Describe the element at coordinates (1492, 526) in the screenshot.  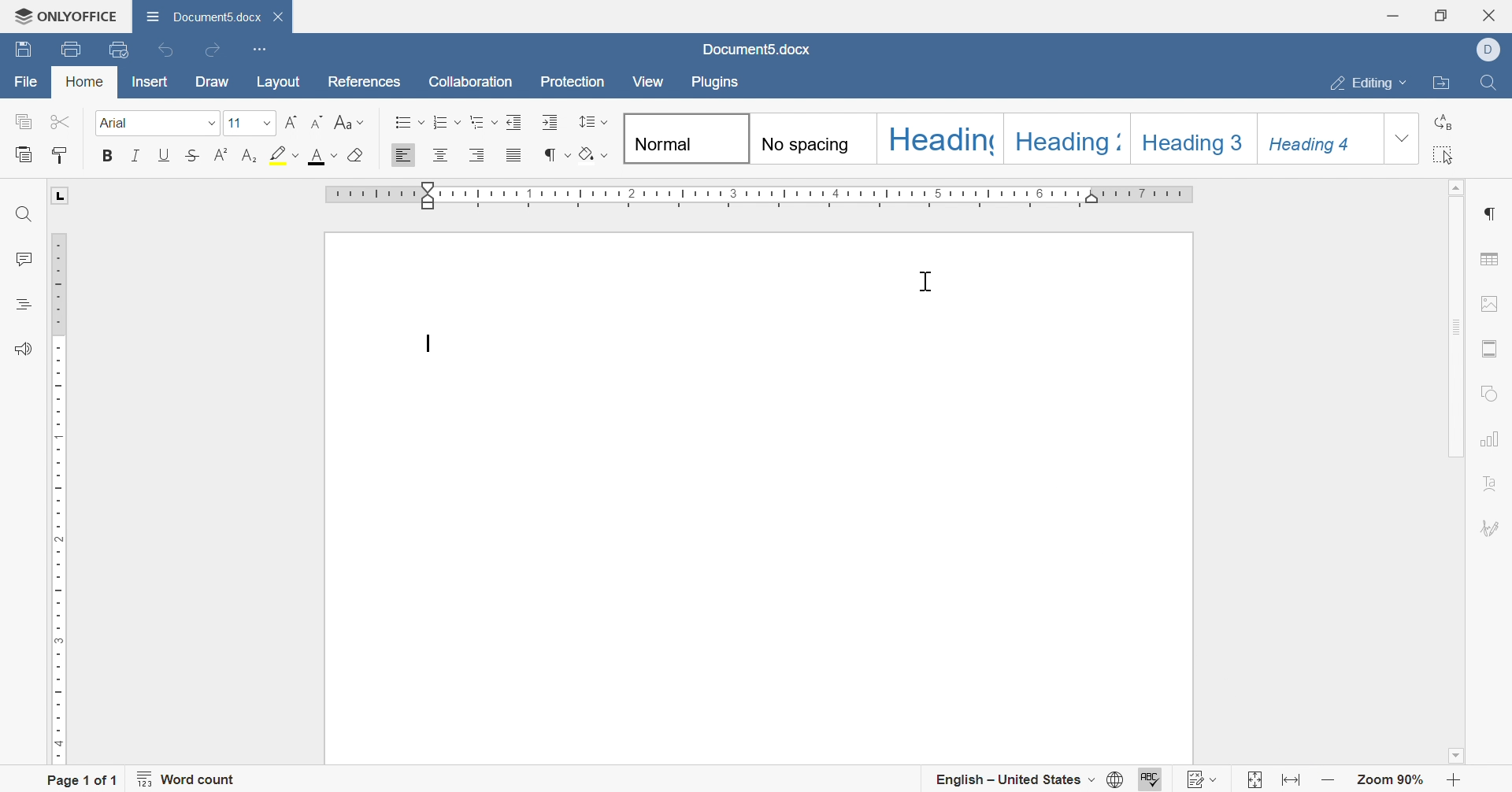
I see `signature settings` at that location.